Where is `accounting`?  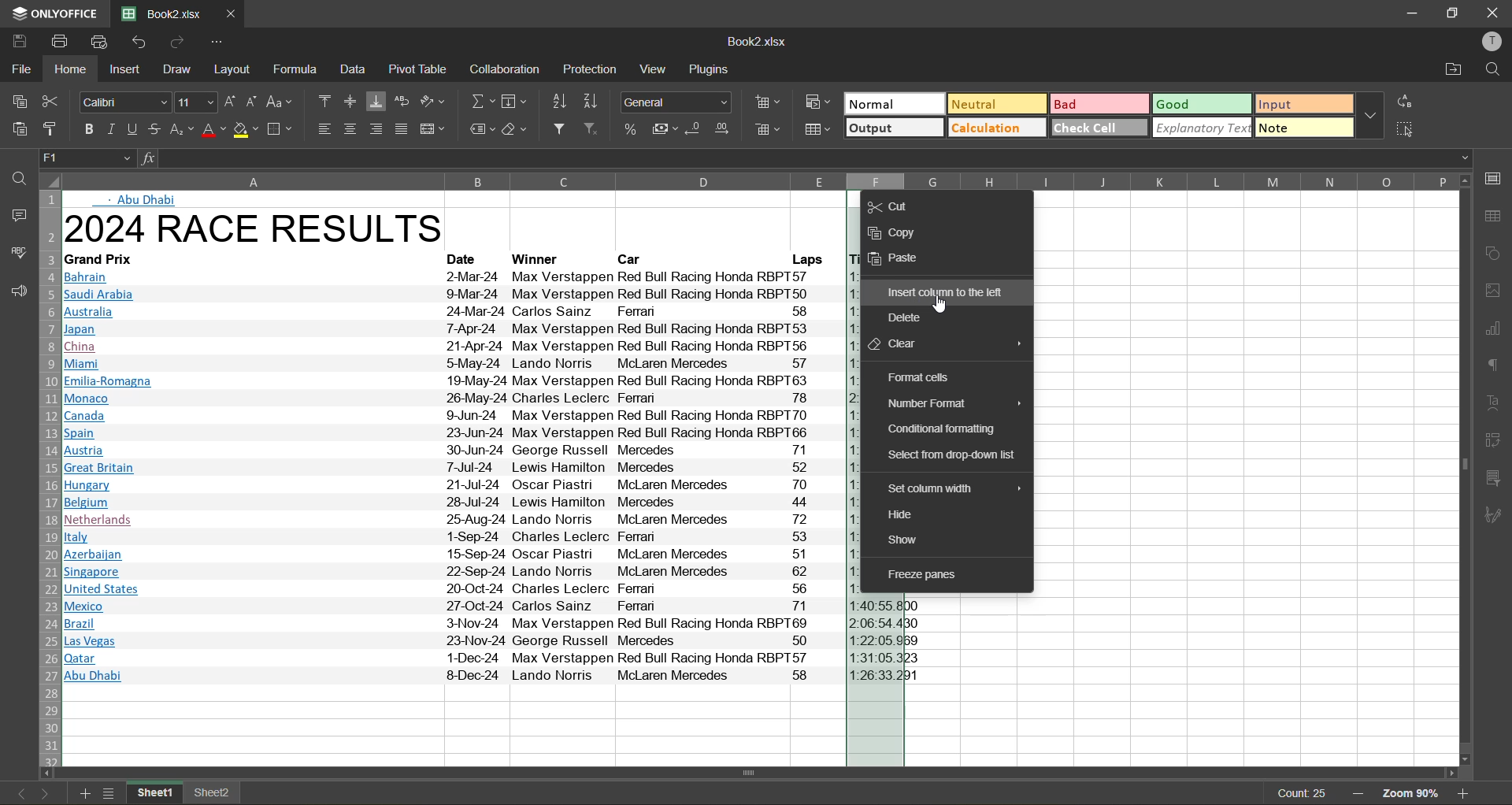
accounting is located at coordinates (663, 128).